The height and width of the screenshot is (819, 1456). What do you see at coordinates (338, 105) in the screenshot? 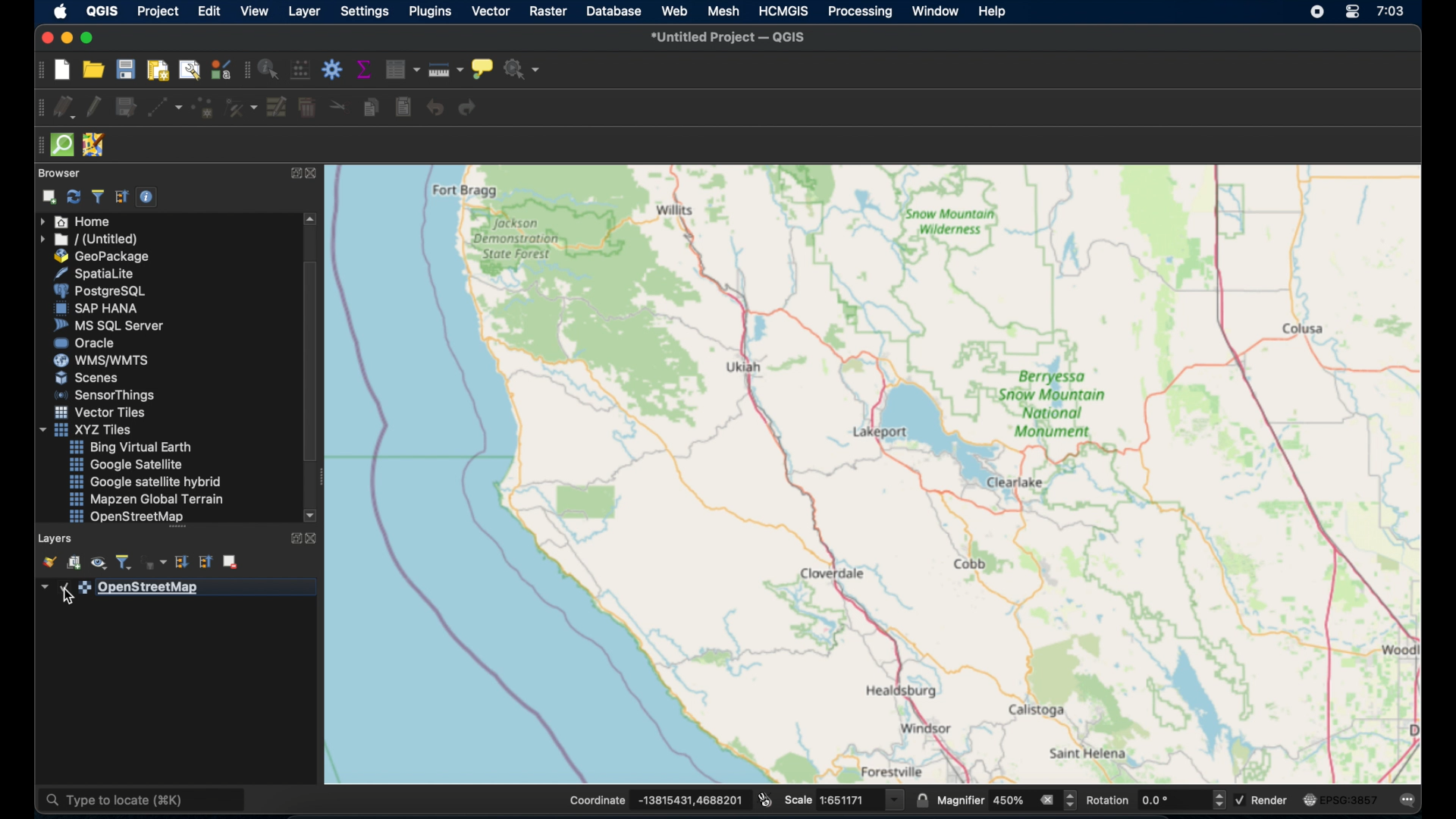
I see `cut features` at bounding box center [338, 105].